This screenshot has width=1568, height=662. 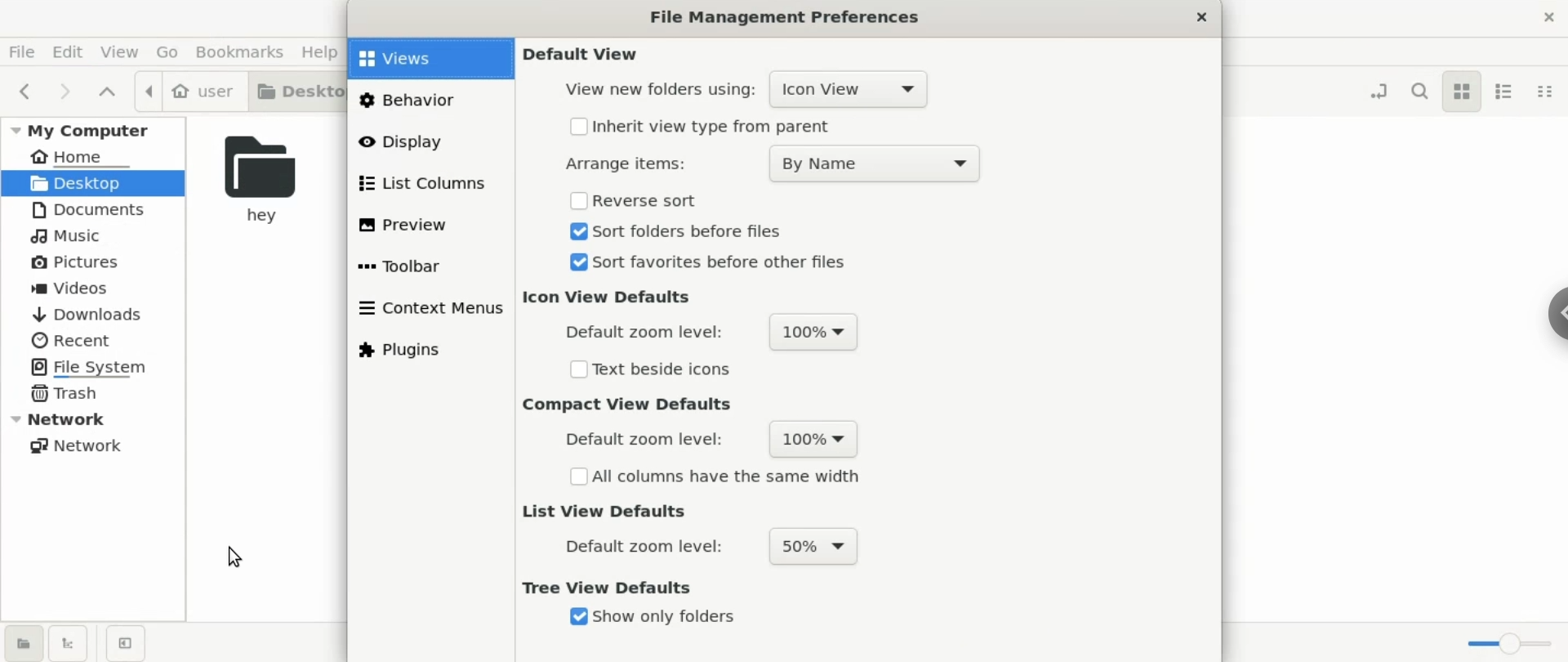 What do you see at coordinates (1466, 92) in the screenshot?
I see `icon view` at bounding box center [1466, 92].